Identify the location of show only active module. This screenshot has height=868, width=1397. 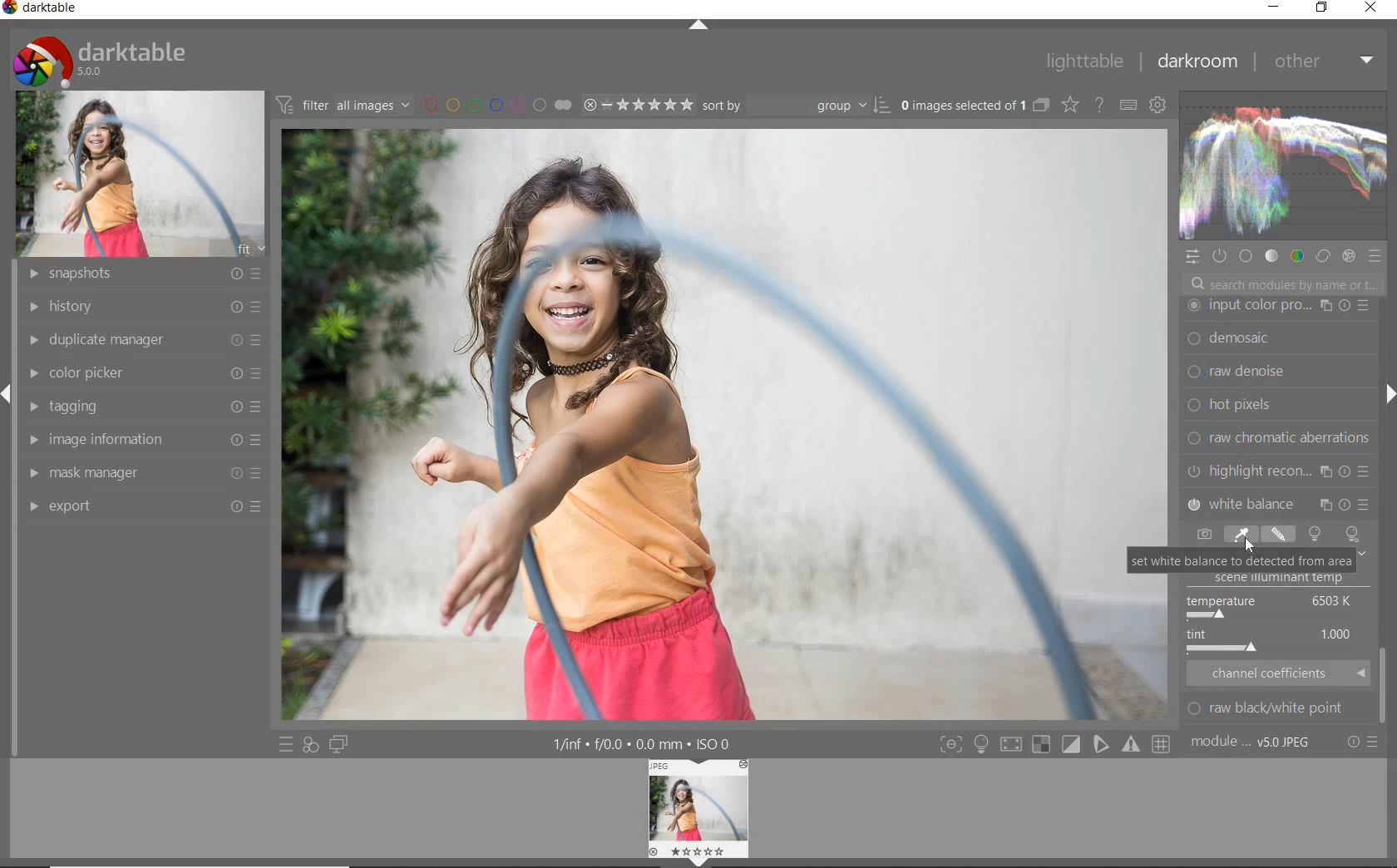
(1221, 257).